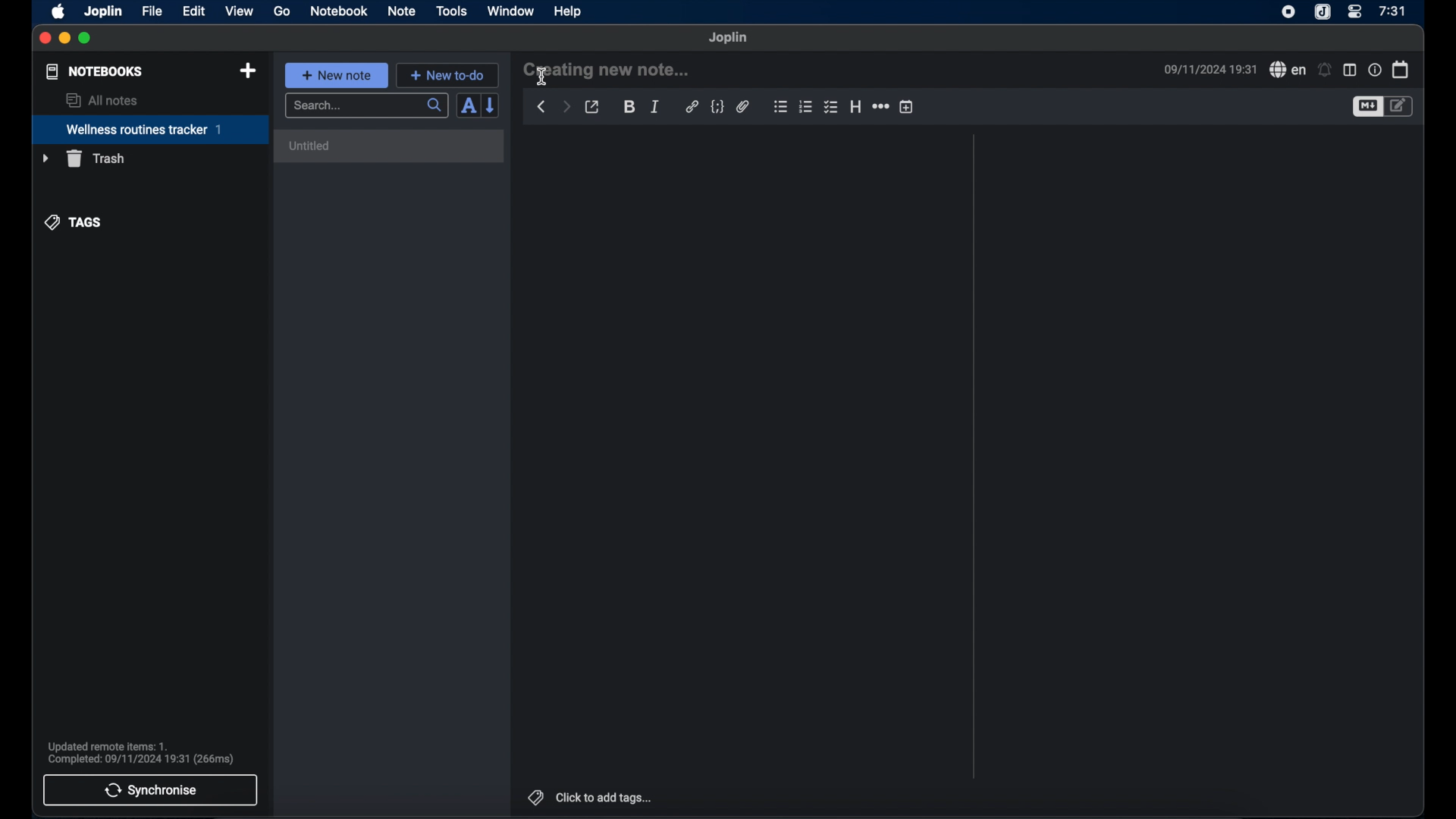  I want to click on view, so click(239, 11).